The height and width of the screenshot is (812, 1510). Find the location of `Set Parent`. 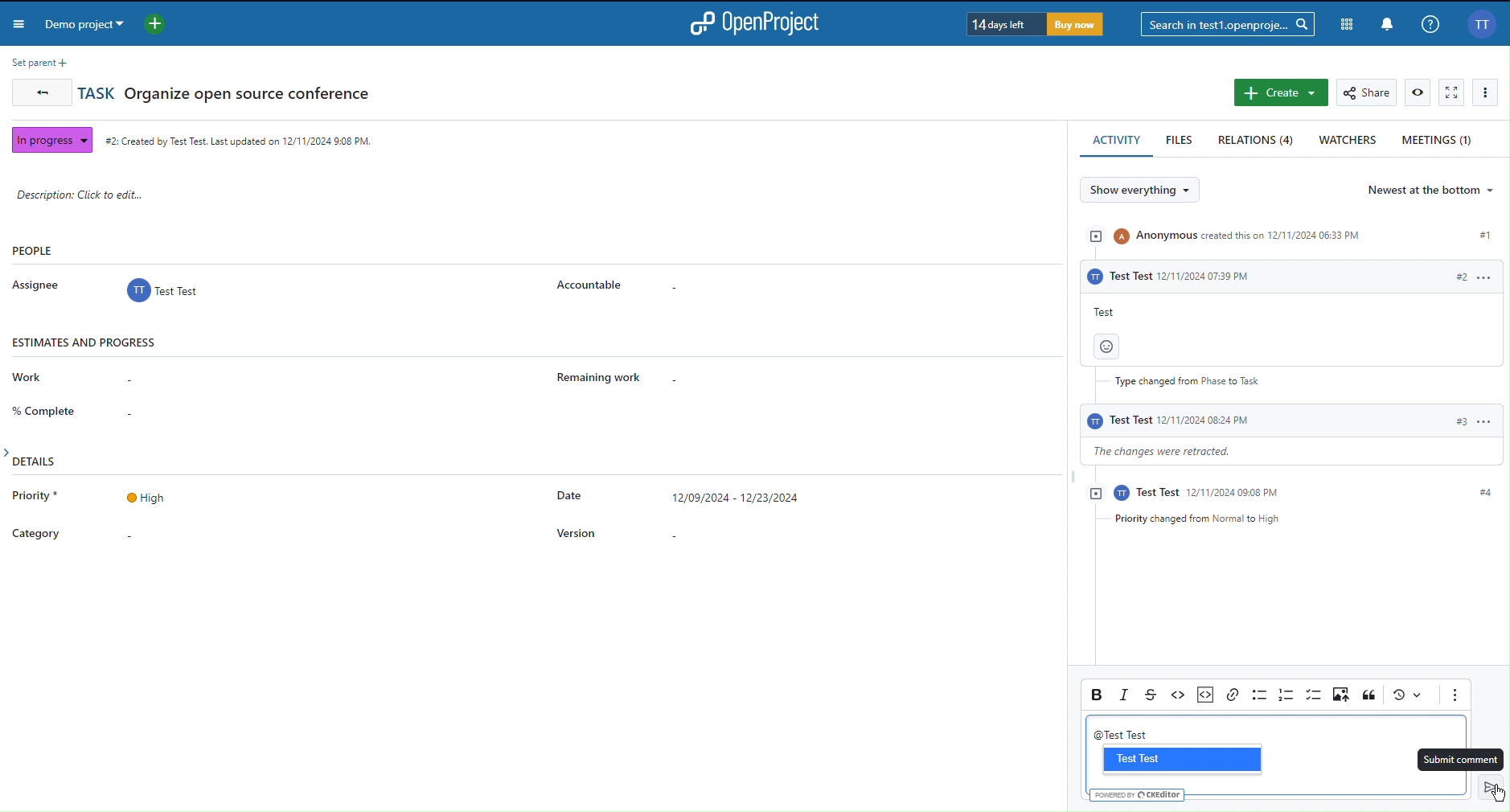

Set Parent is located at coordinates (36, 62).